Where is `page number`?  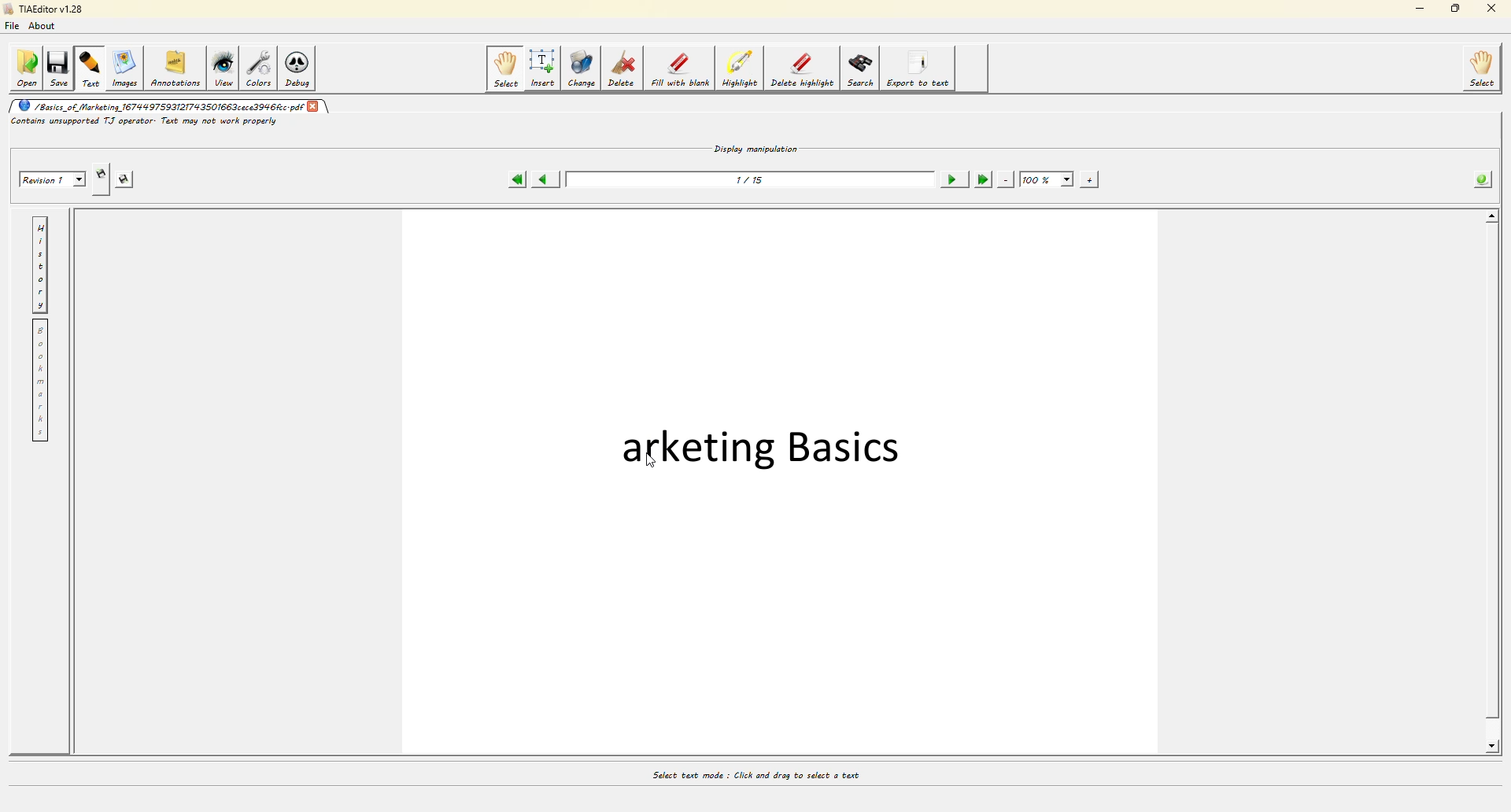 page number is located at coordinates (751, 179).